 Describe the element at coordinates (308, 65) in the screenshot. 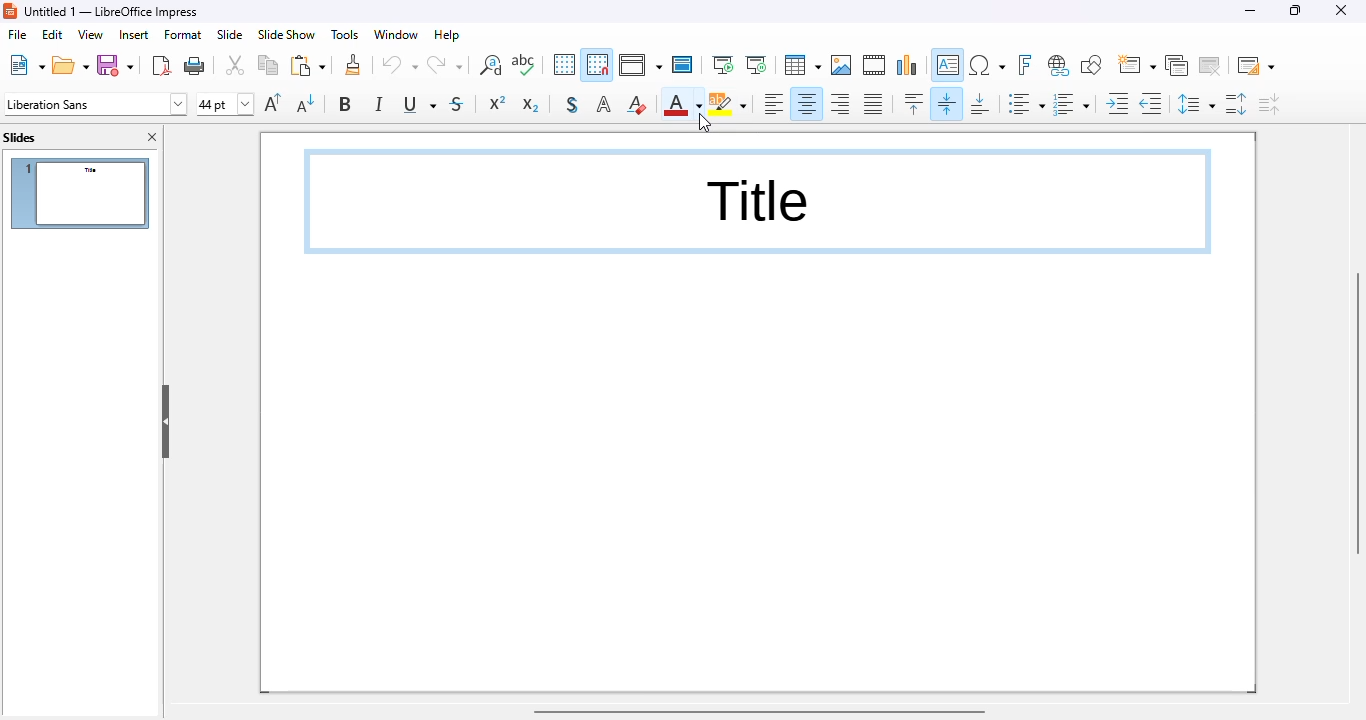

I see `paste` at that location.